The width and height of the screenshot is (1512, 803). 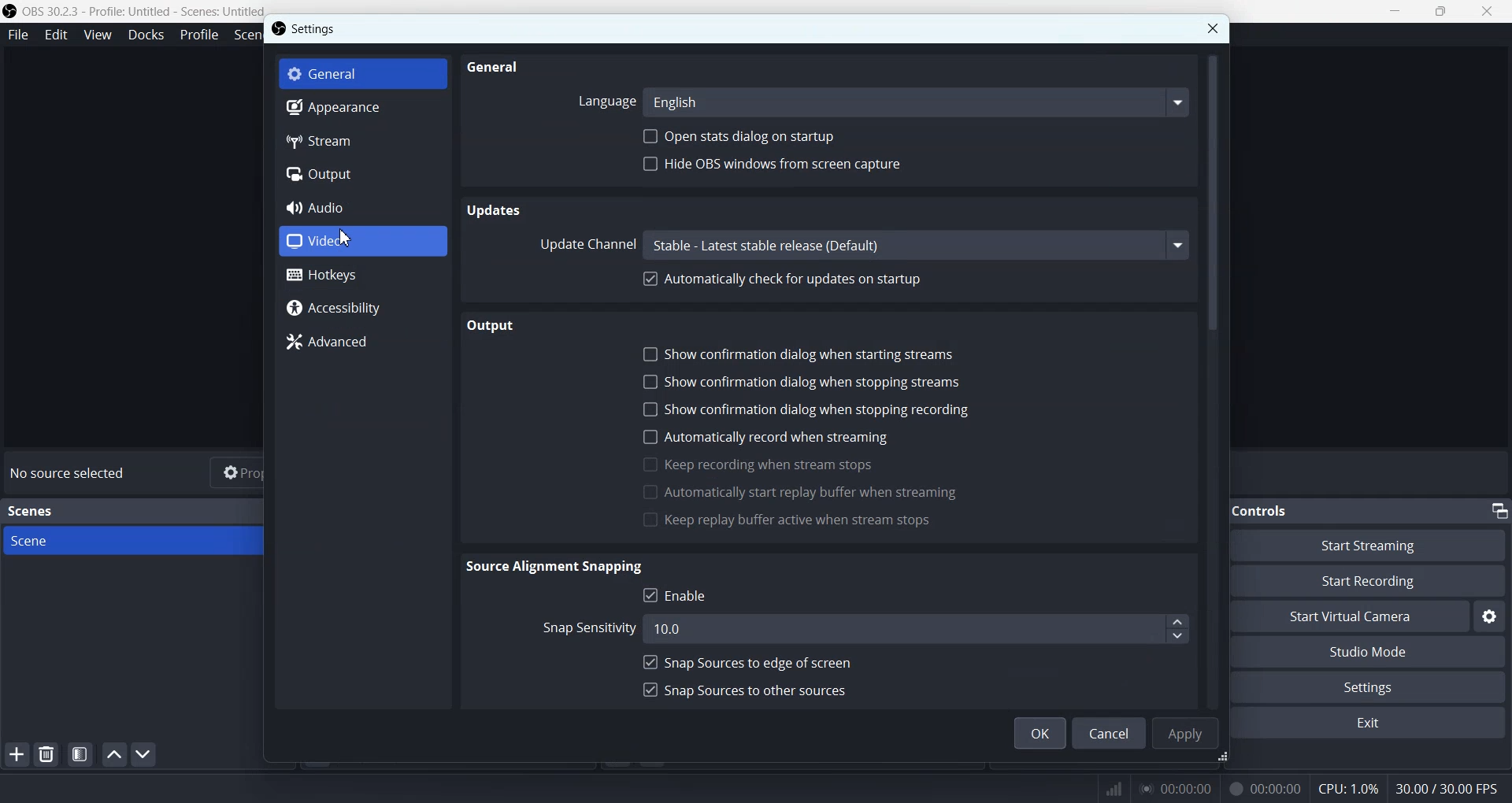 What do you see at coordinates (1212, 28) in the screenshot?
I see `Close` at bounding box center [1212, 28].